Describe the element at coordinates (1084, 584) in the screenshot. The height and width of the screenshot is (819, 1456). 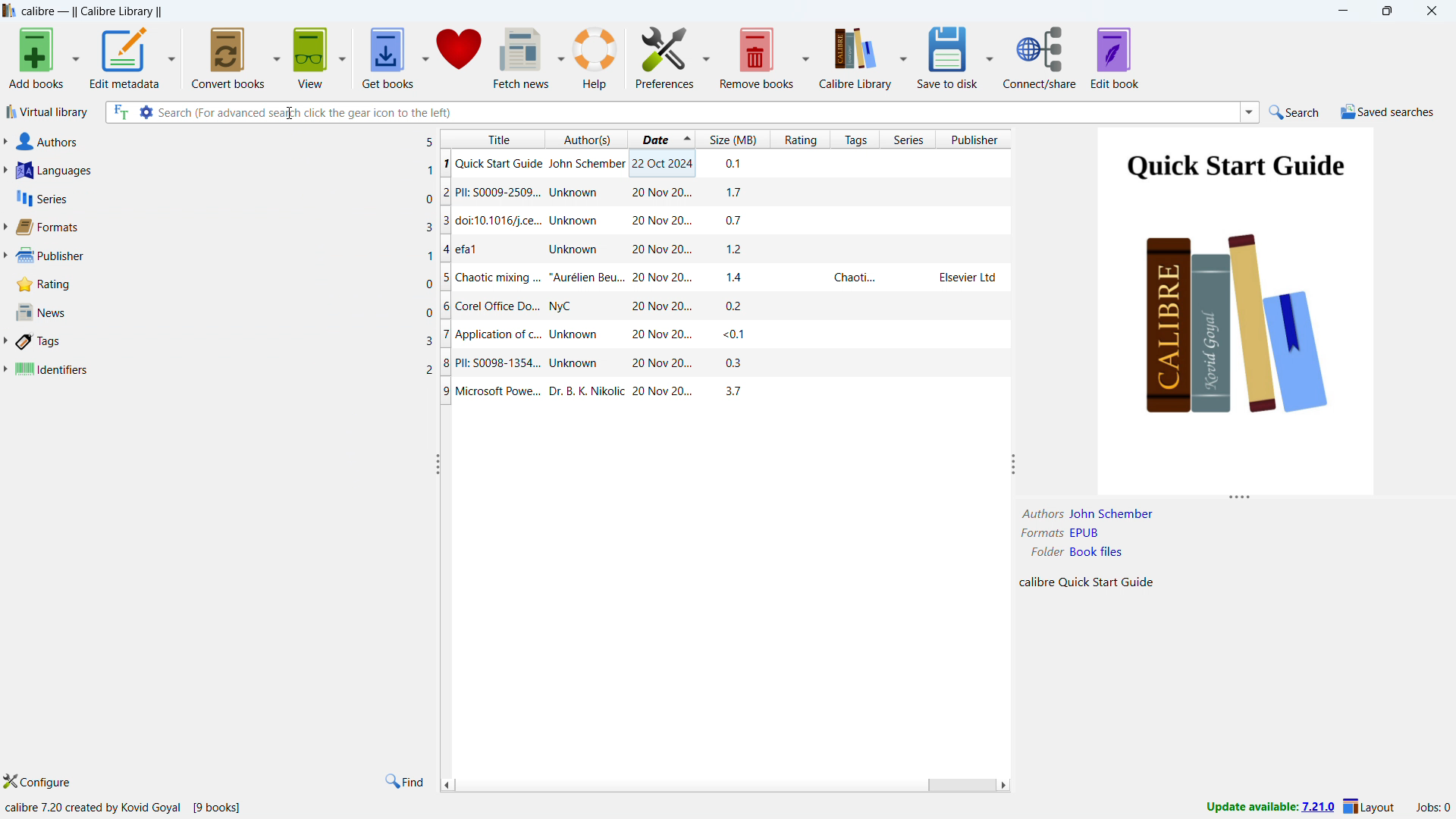
I see `Calibre Quick Start Guide` at that location.